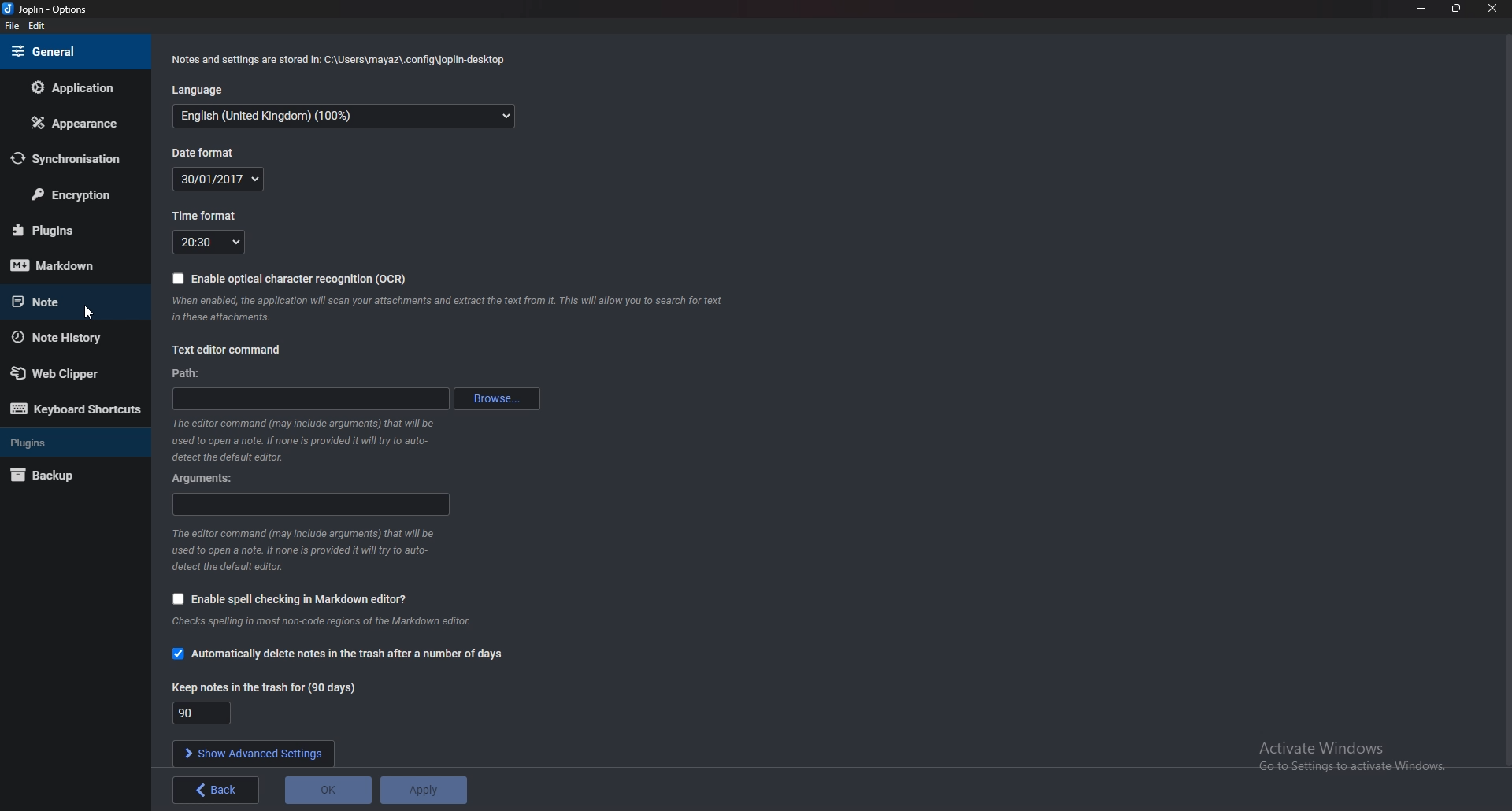 The width and height of the screenshot is (1512, 811). I want to click on edit, so click(36, 26).